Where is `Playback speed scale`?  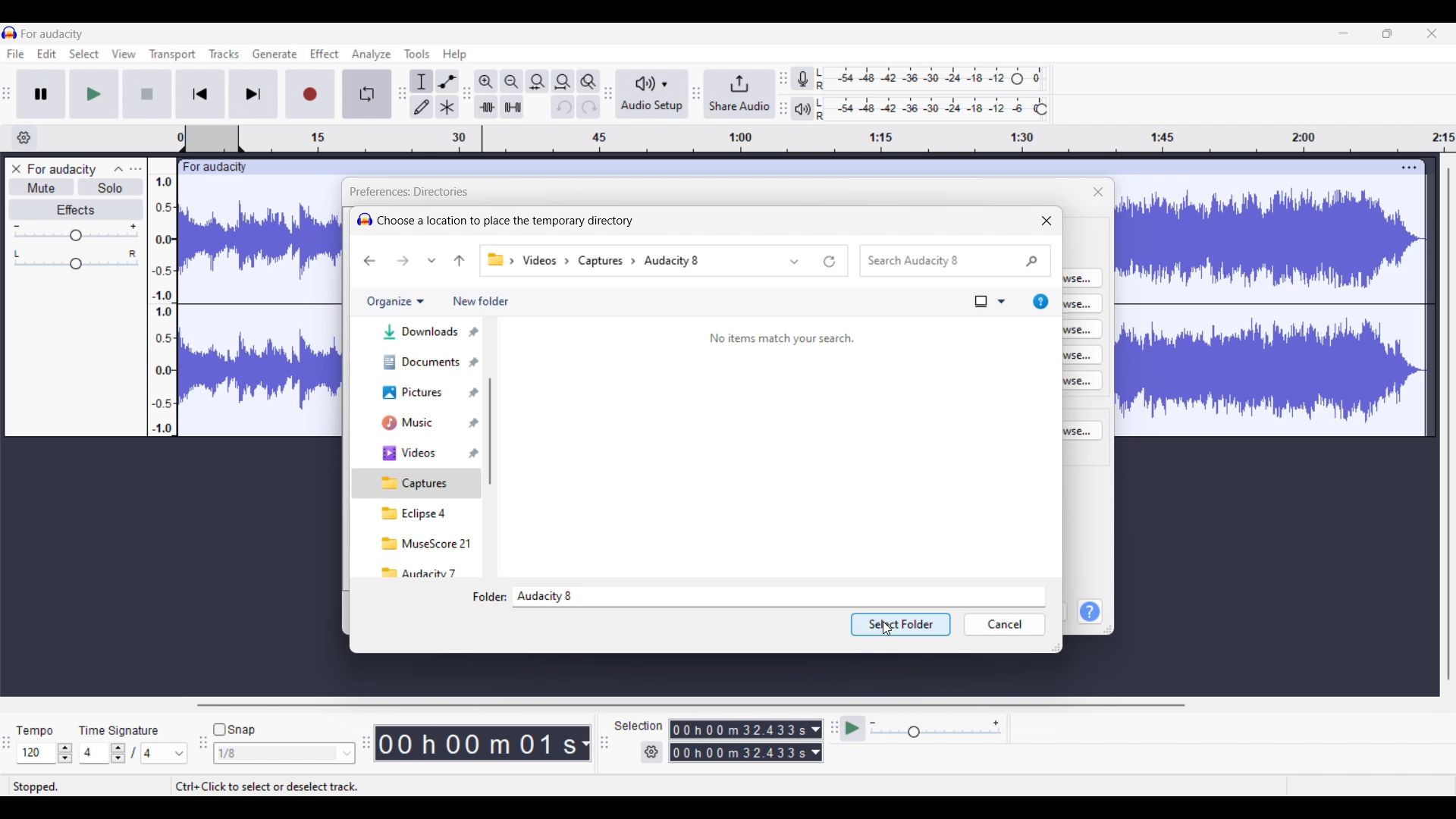 Playback speed scale is located at coordinates (936, 728).